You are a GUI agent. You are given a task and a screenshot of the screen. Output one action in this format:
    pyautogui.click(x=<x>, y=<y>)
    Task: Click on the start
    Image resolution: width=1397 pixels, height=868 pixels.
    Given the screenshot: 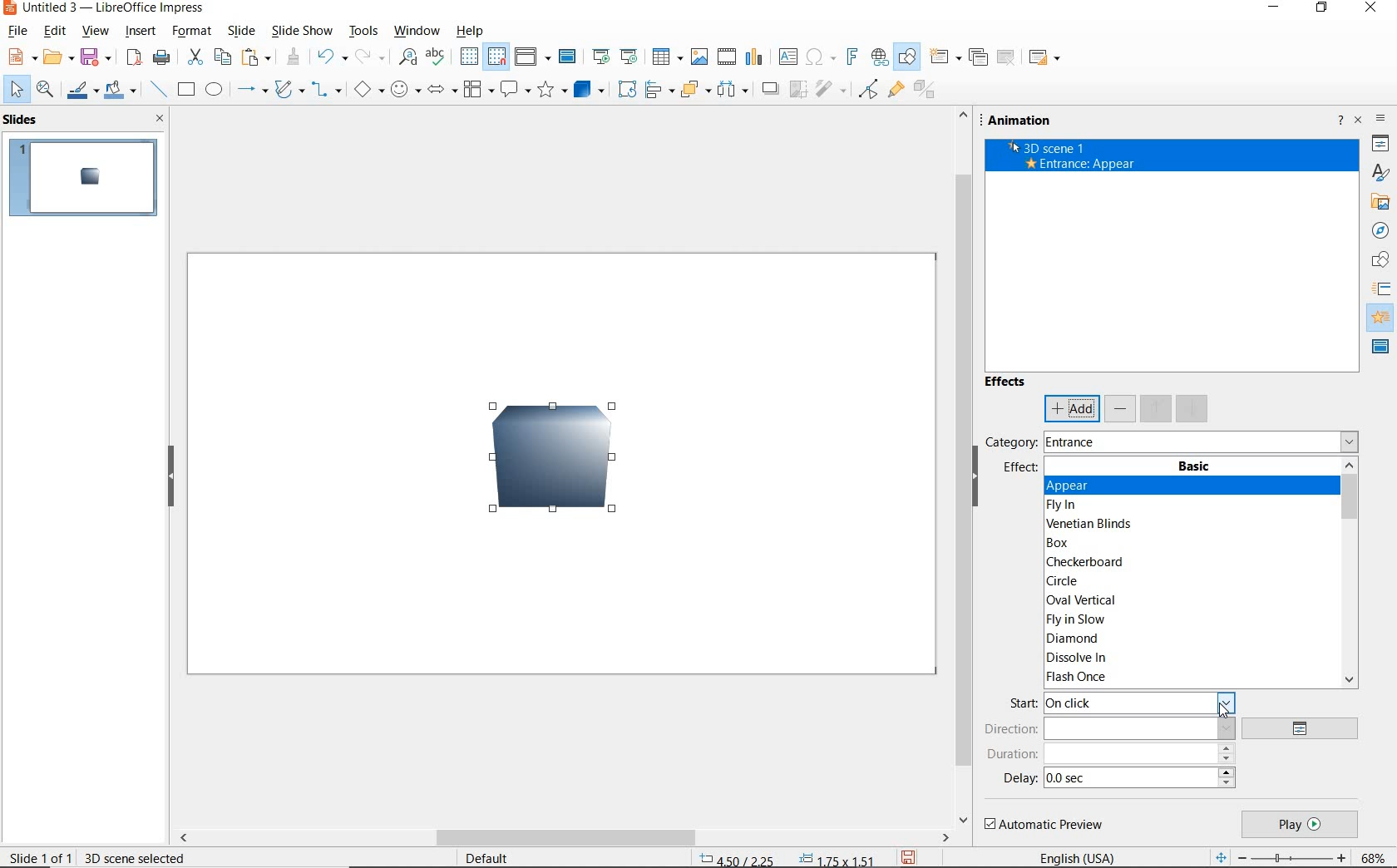 What is the action you would take?
    pyautogui.click(x=1020, y=703)
    